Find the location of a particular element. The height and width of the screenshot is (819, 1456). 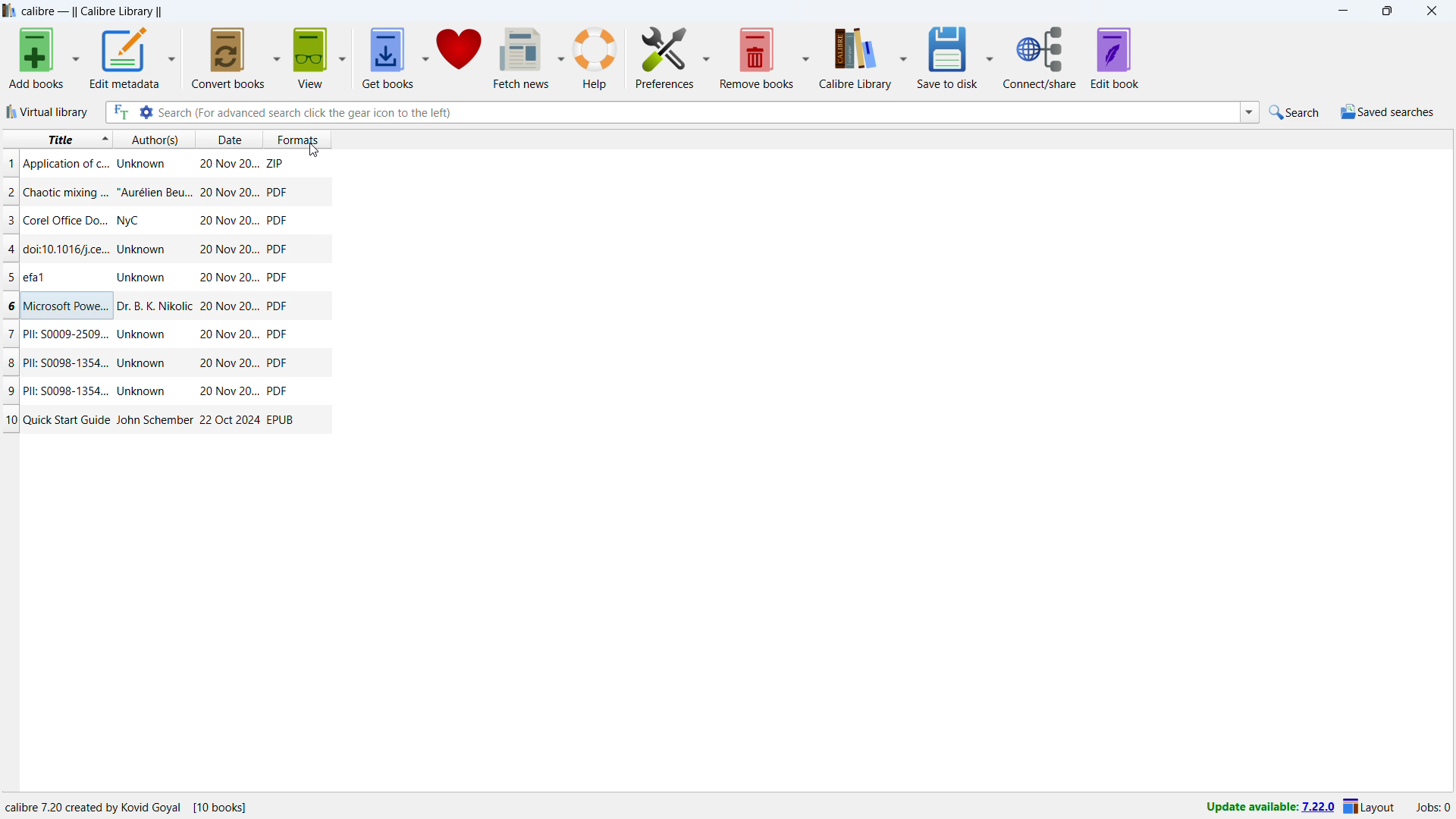

title is located at coordinates (67, 248).